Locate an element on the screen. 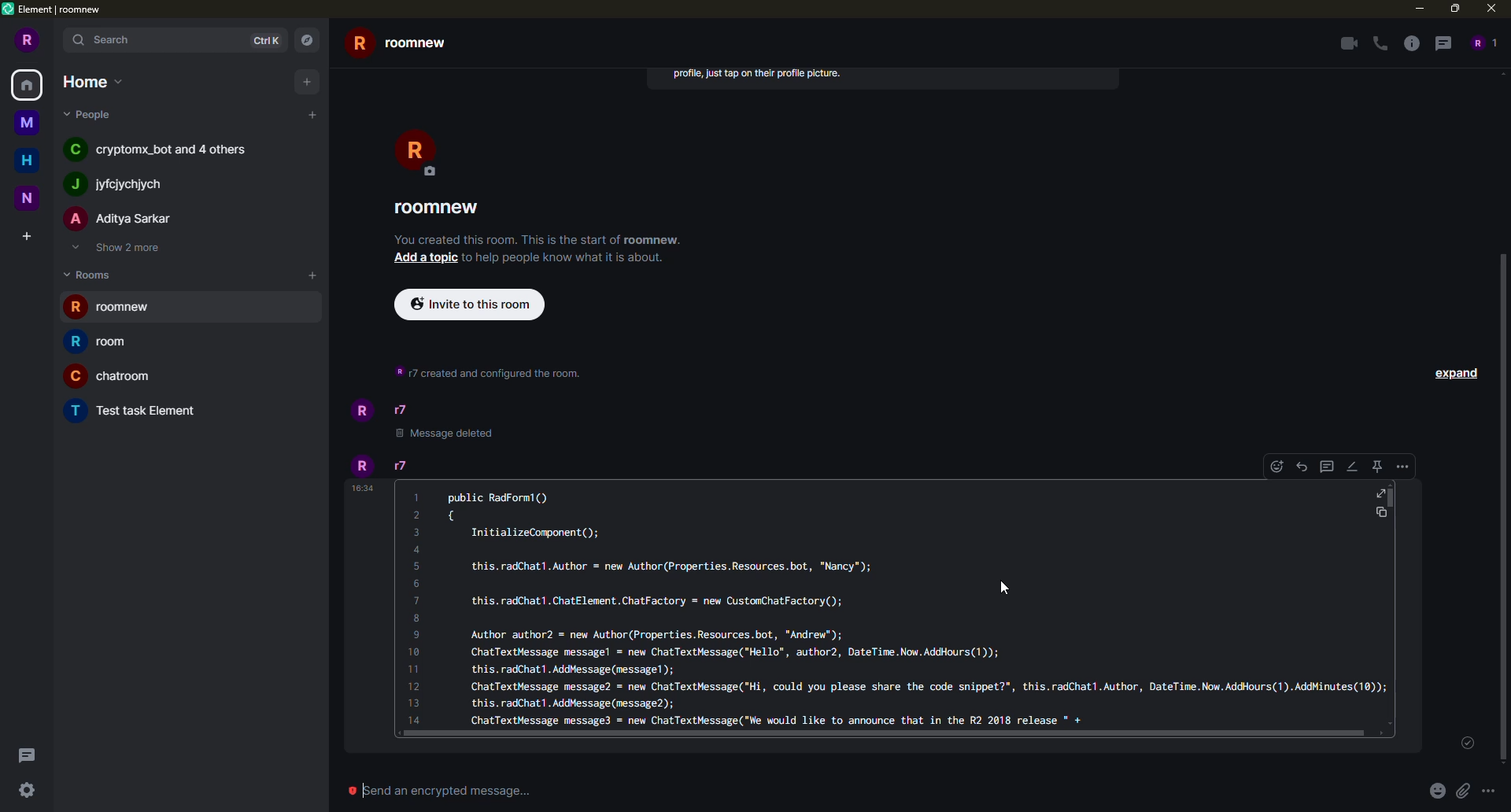 This screenshot has height=812, width=1511. r7 is located at coordinates (404, 465).